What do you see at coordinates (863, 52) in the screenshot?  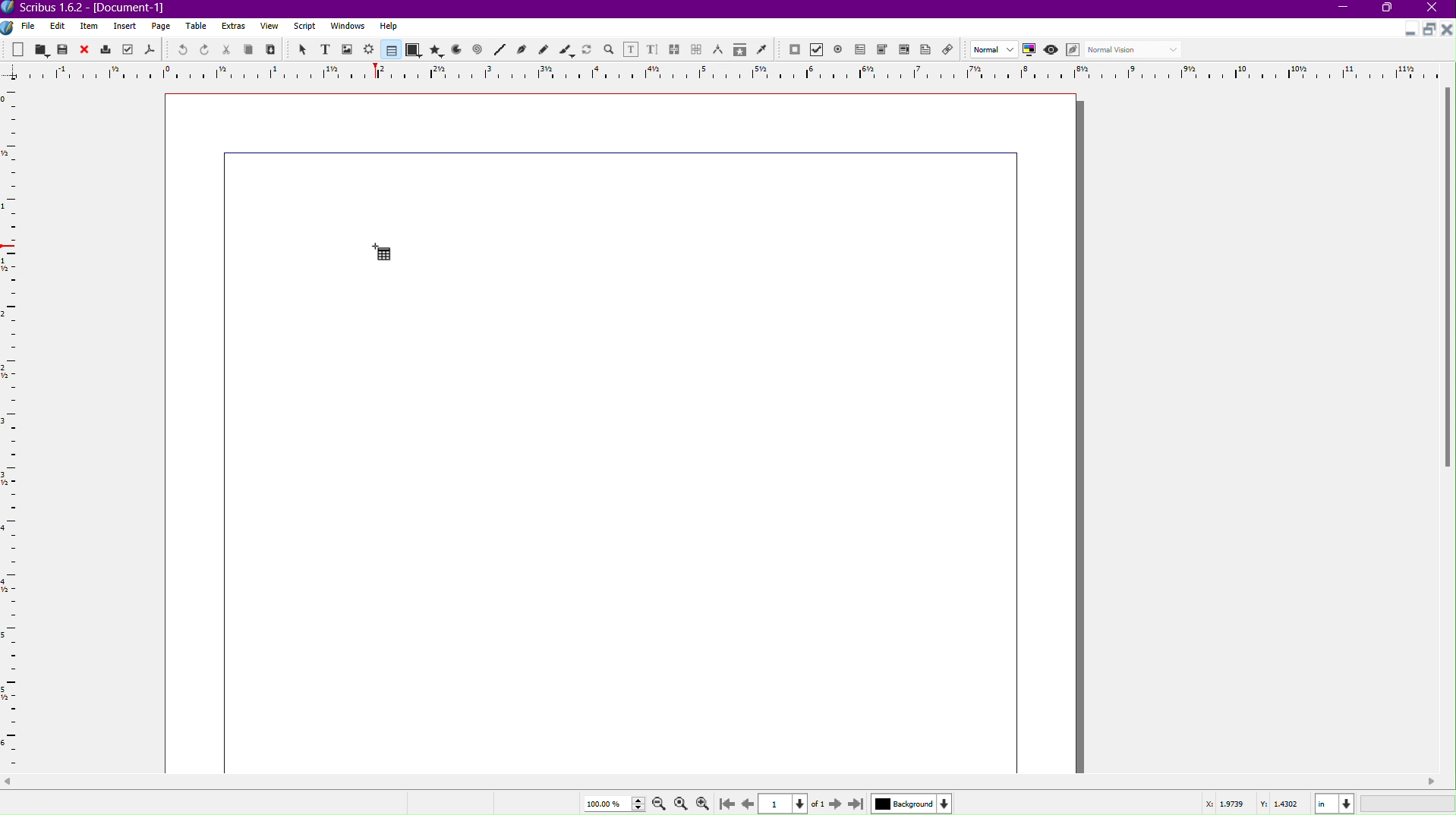 I see `PDF Text Field` at bounding box center [863, 52].